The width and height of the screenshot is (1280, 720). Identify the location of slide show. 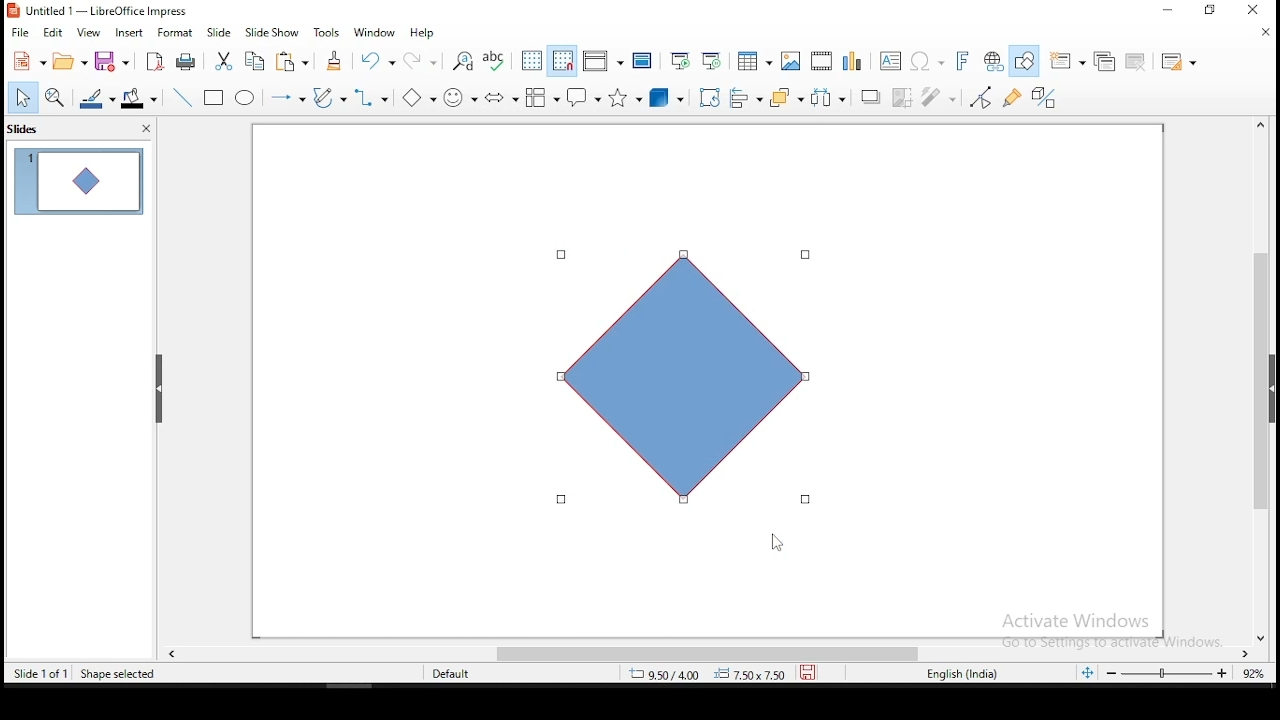
(271, 31).